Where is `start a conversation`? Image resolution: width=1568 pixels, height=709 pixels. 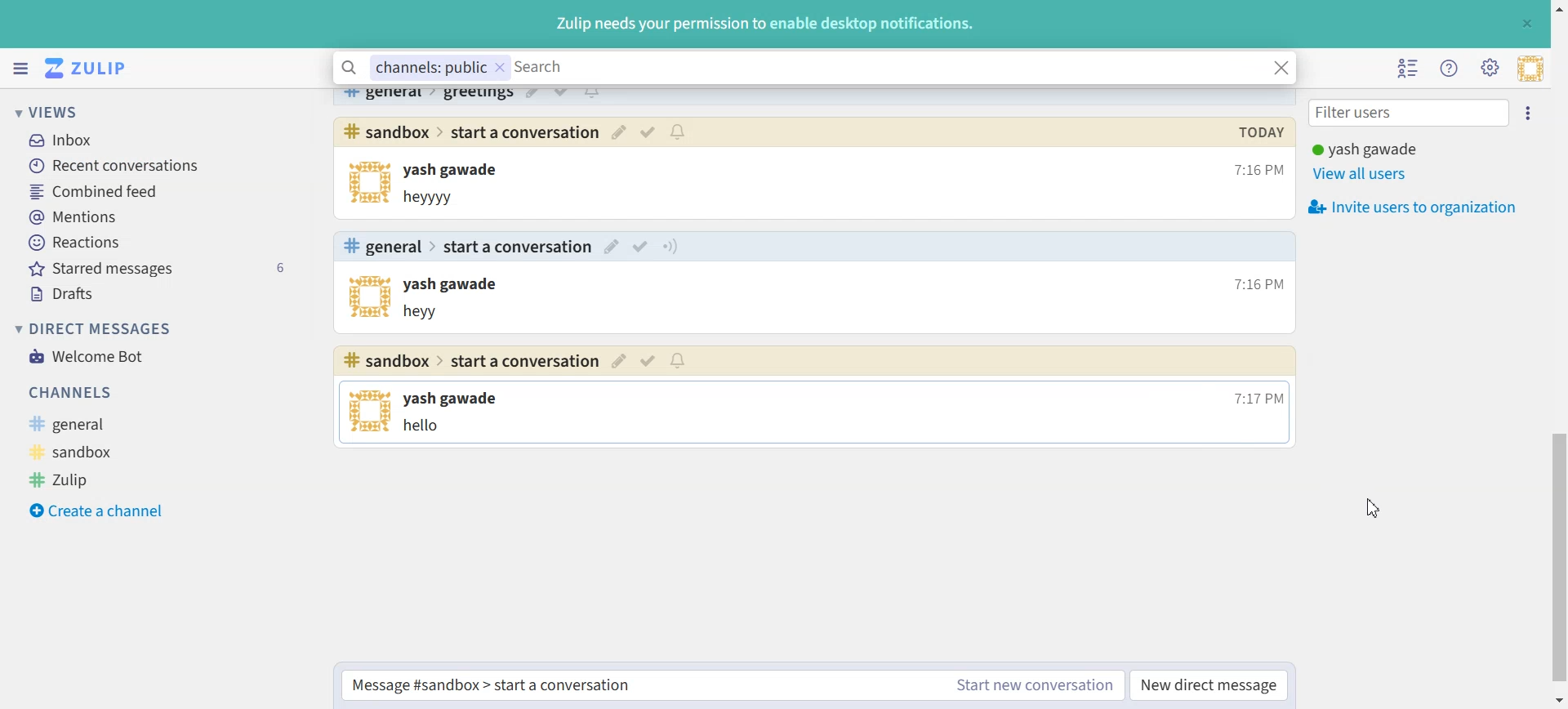 start a conversation is located at coordinates (524, 132).